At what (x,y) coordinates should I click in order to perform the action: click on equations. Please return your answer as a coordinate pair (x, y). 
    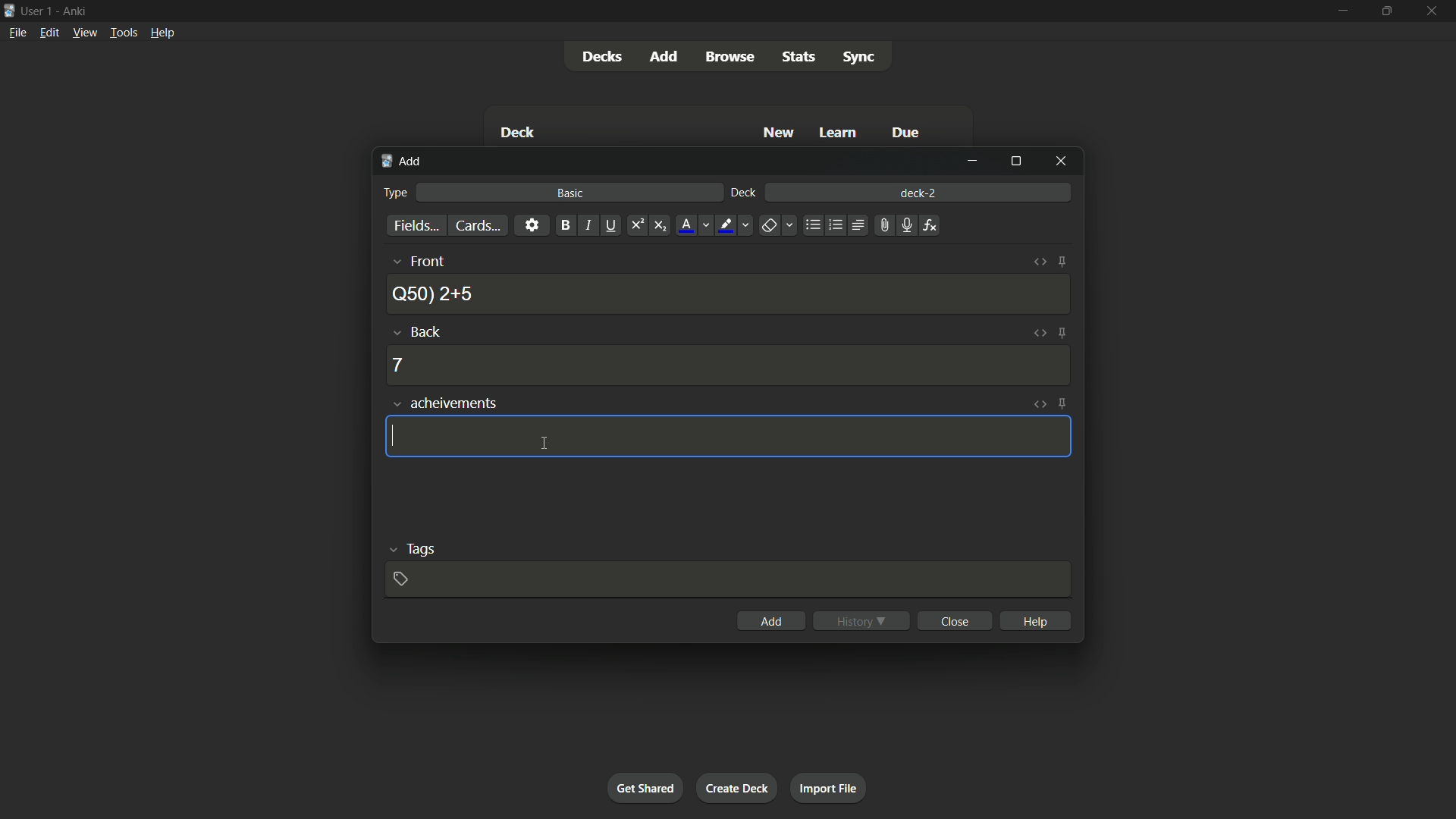
    Looking at the image, I should click on (930, 225).